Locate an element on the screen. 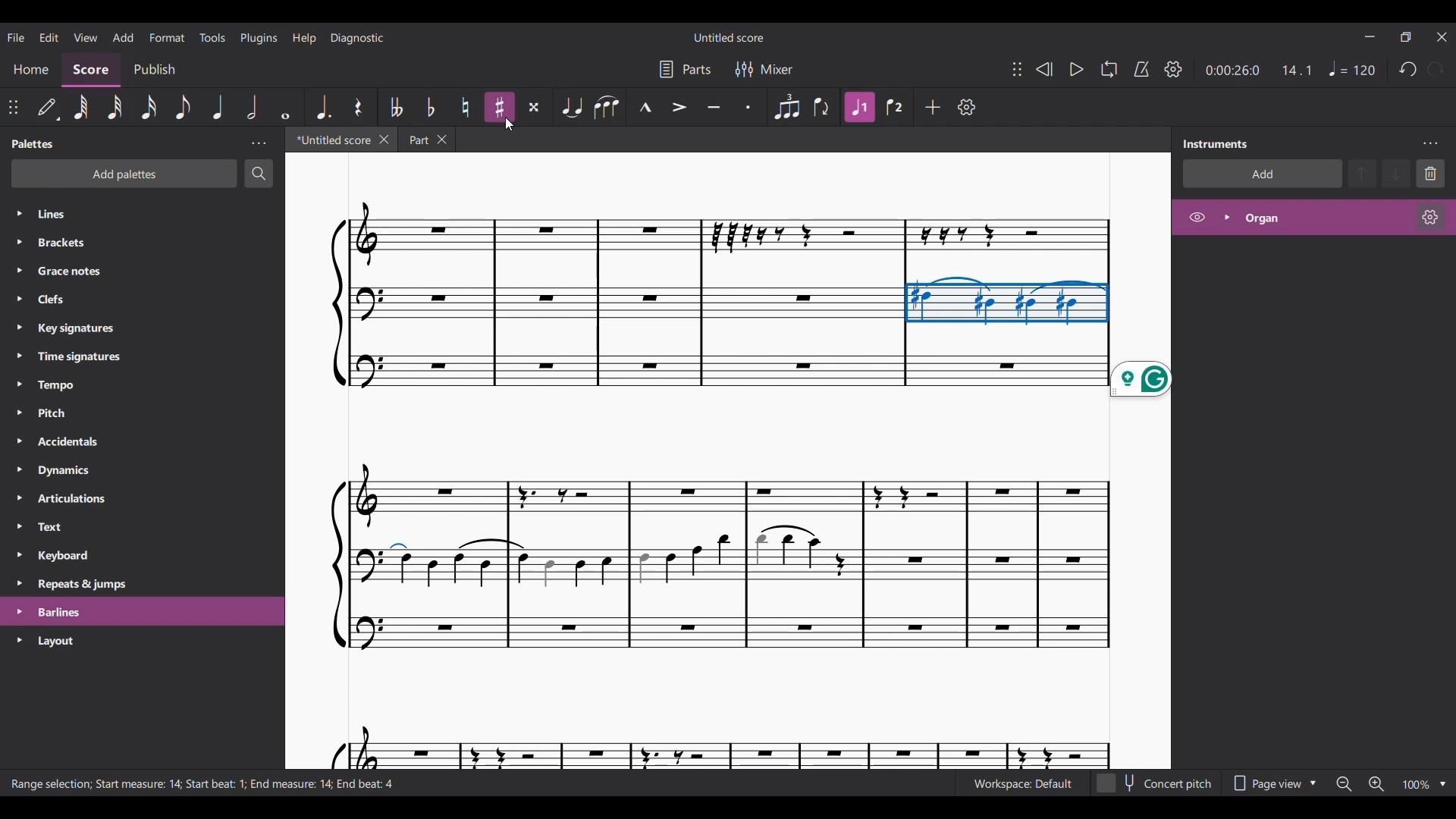 The height and width of the screenshot is (819, 1456). Looping playback is located at coordinates (1109, 70).